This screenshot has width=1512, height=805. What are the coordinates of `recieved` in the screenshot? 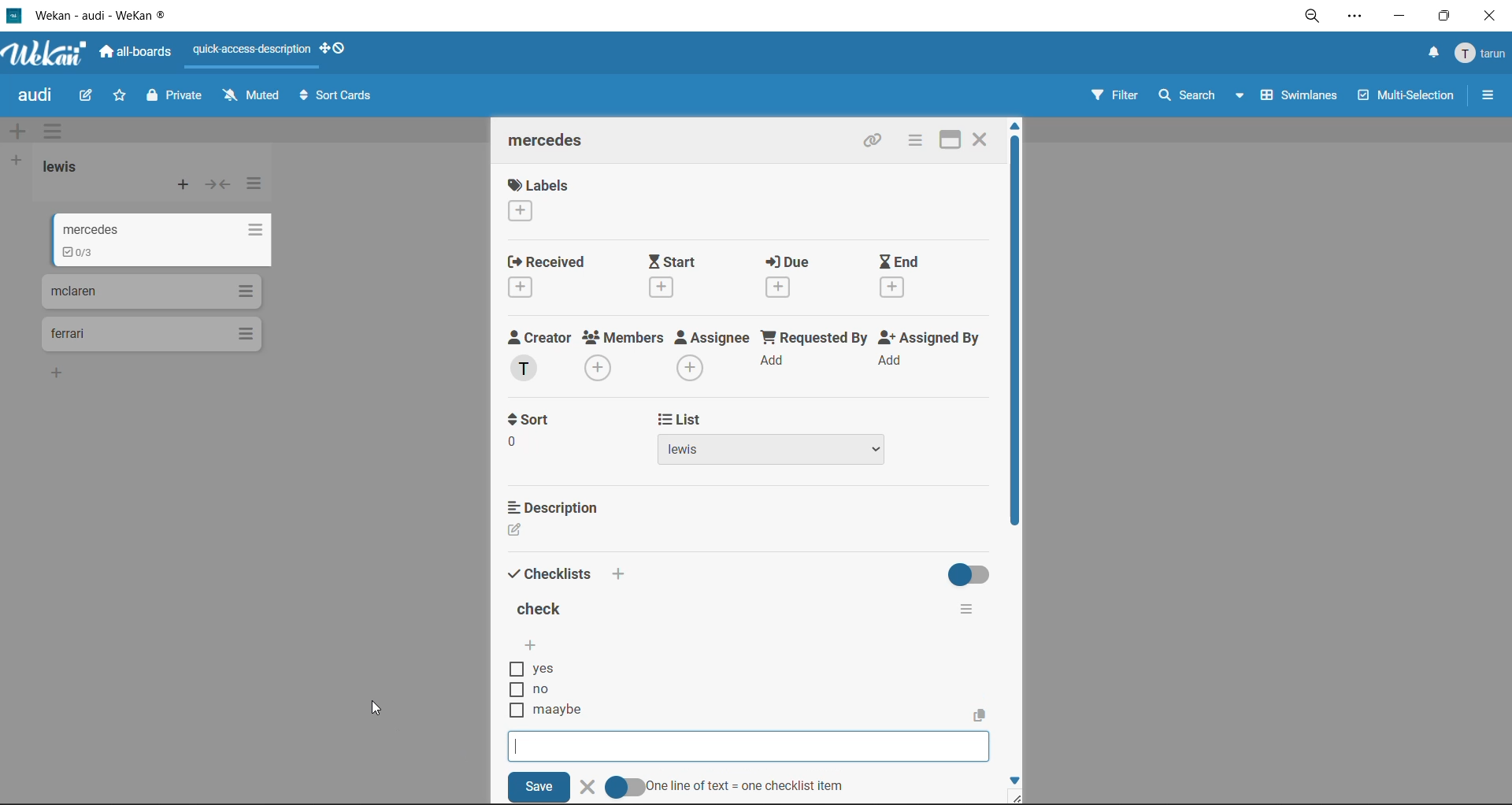 It's located at (550, 276).